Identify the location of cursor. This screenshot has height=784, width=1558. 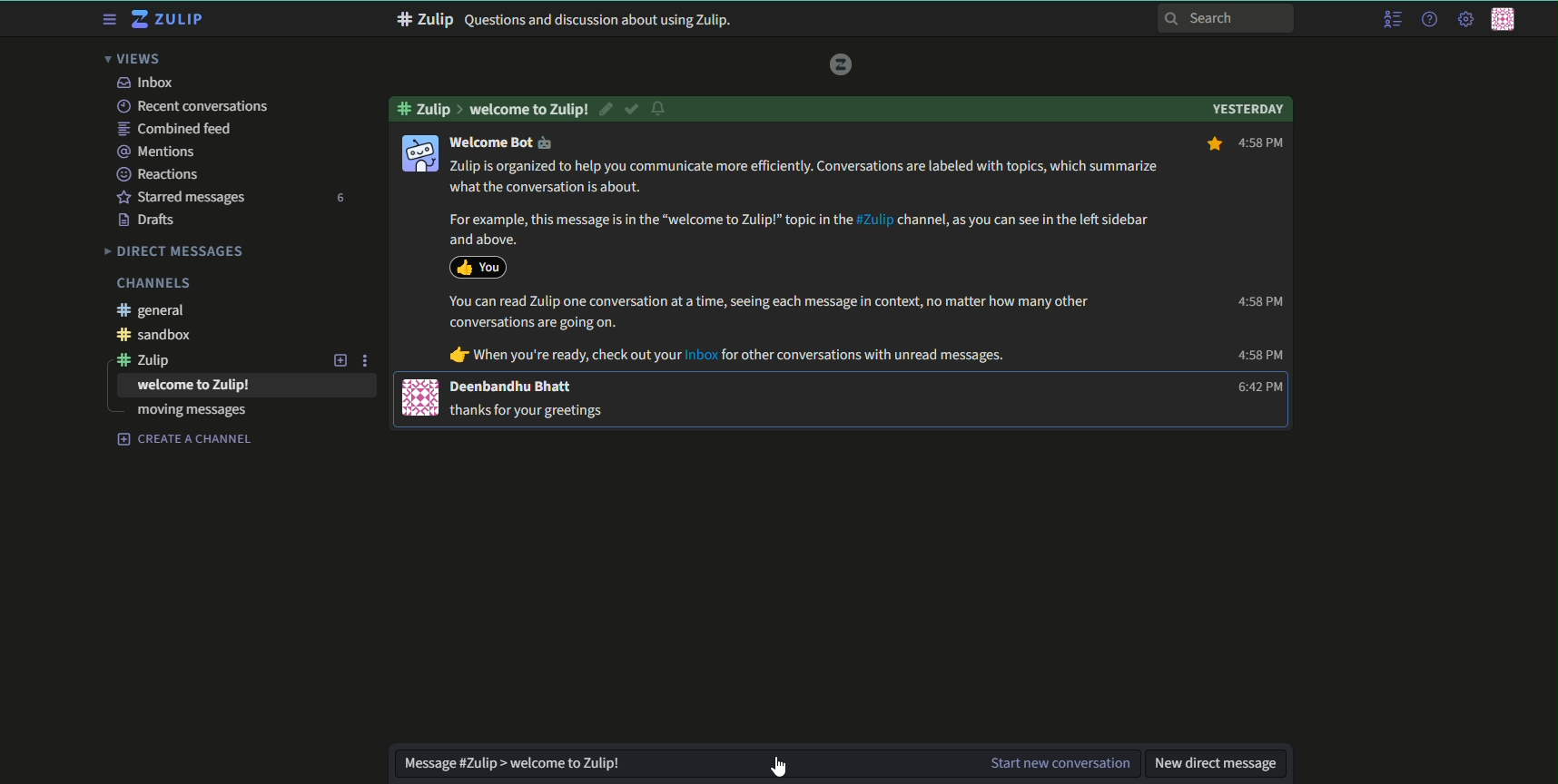
(765, 767).